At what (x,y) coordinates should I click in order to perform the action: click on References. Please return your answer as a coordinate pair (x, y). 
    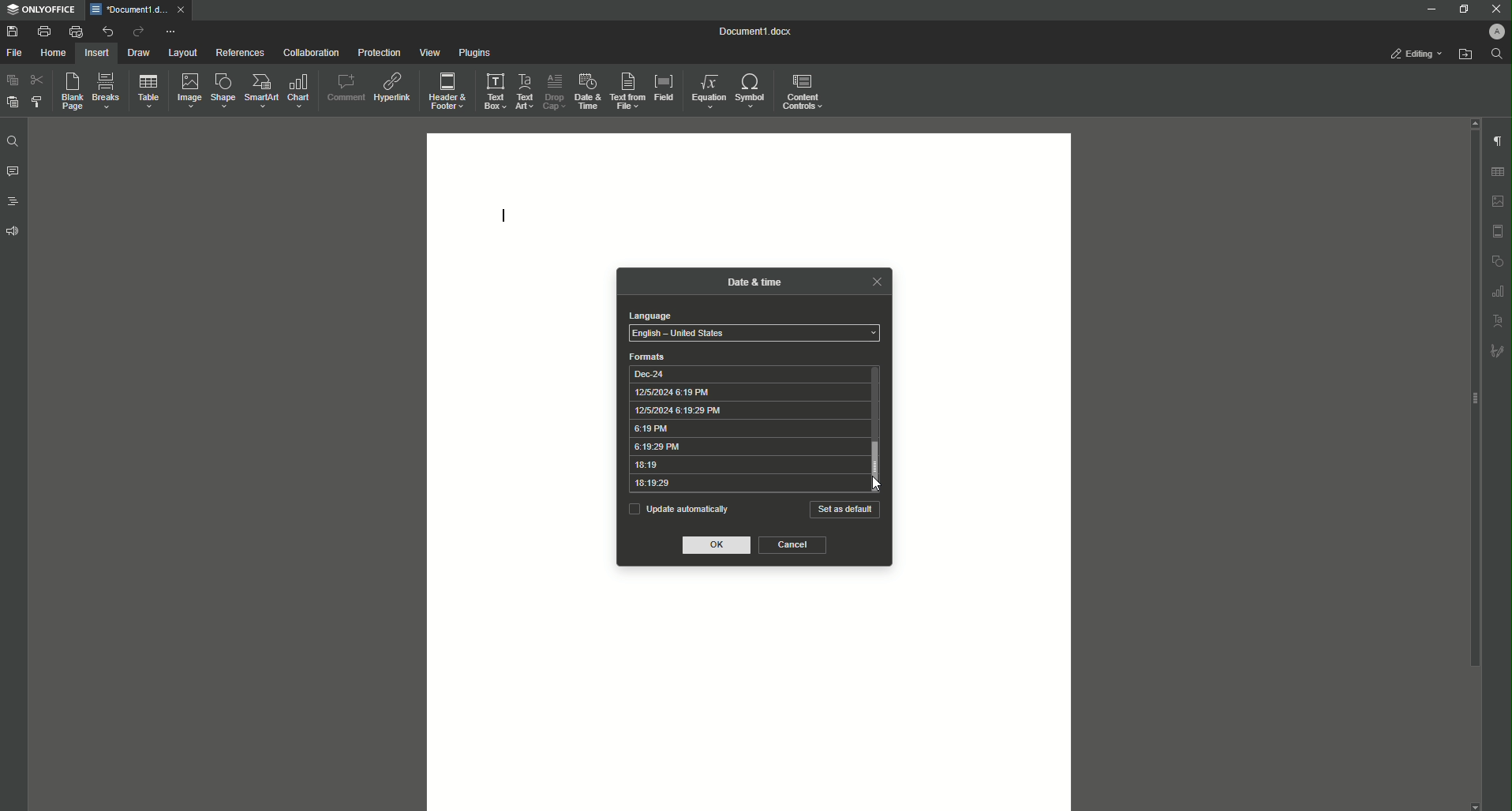
    Looking at the image, I should click on (239, 53).